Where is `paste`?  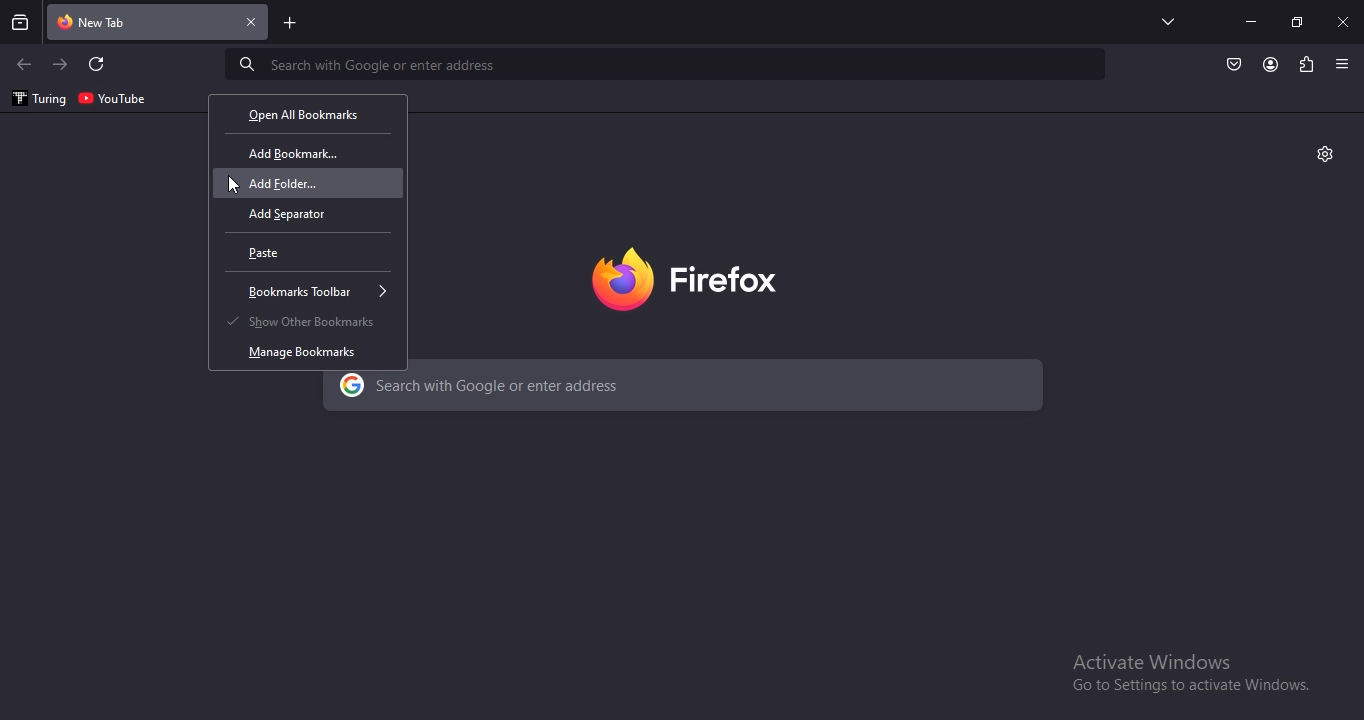 paste is located at coordinates (274, 253).